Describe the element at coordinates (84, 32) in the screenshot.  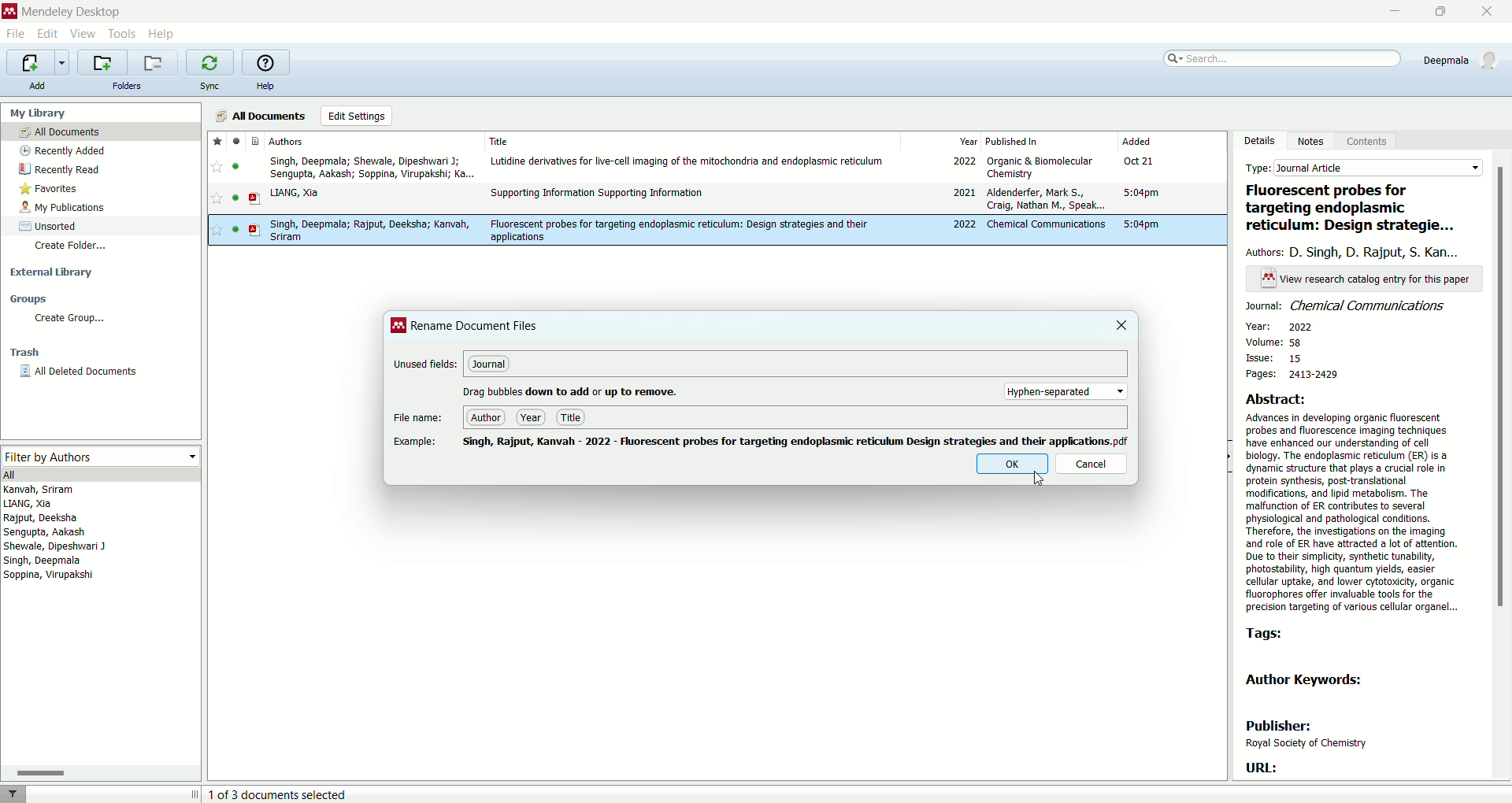
I see `view` at that location.